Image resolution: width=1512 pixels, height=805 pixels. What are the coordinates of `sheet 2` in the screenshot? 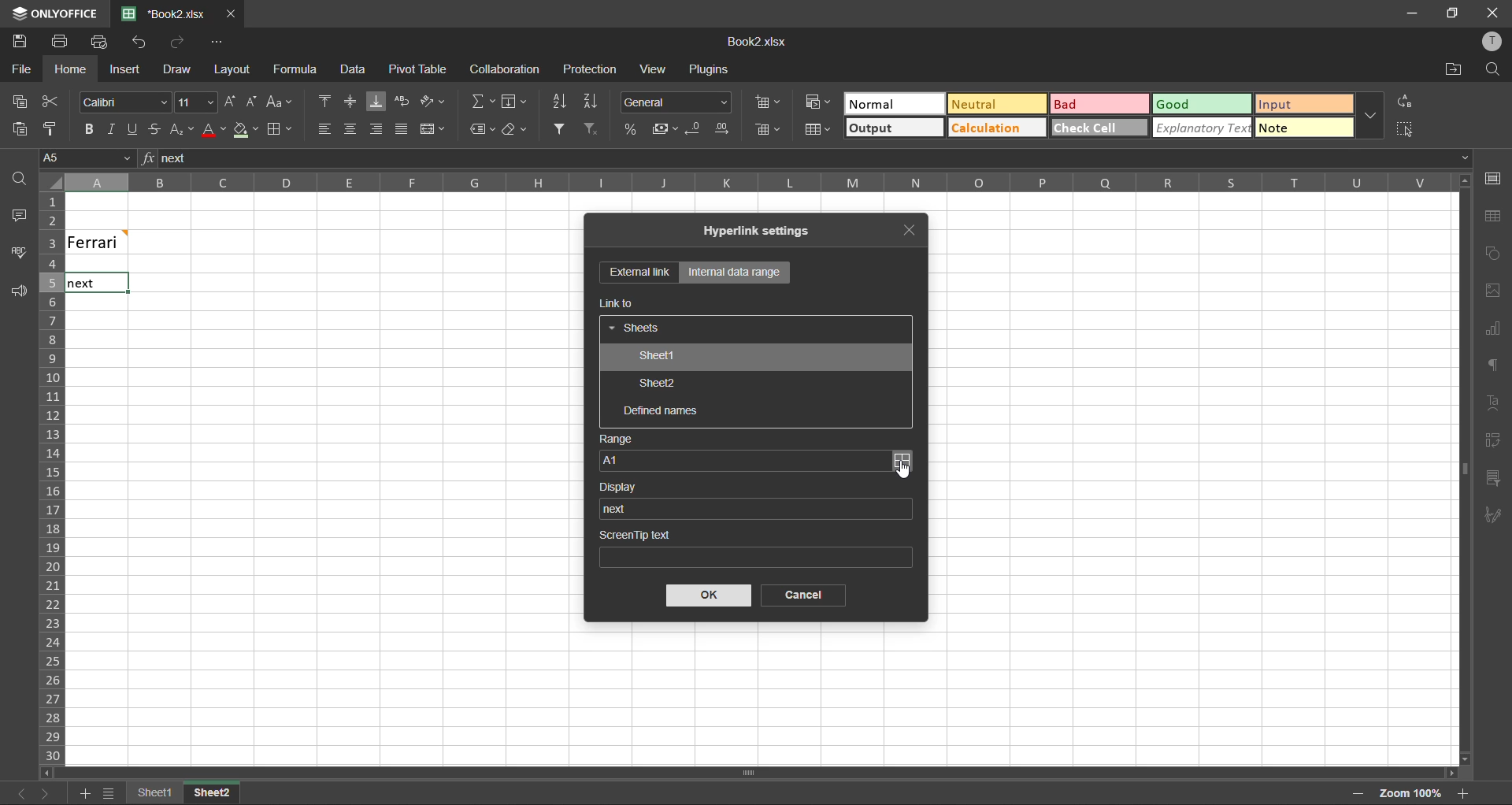 It's located at (228, 794).